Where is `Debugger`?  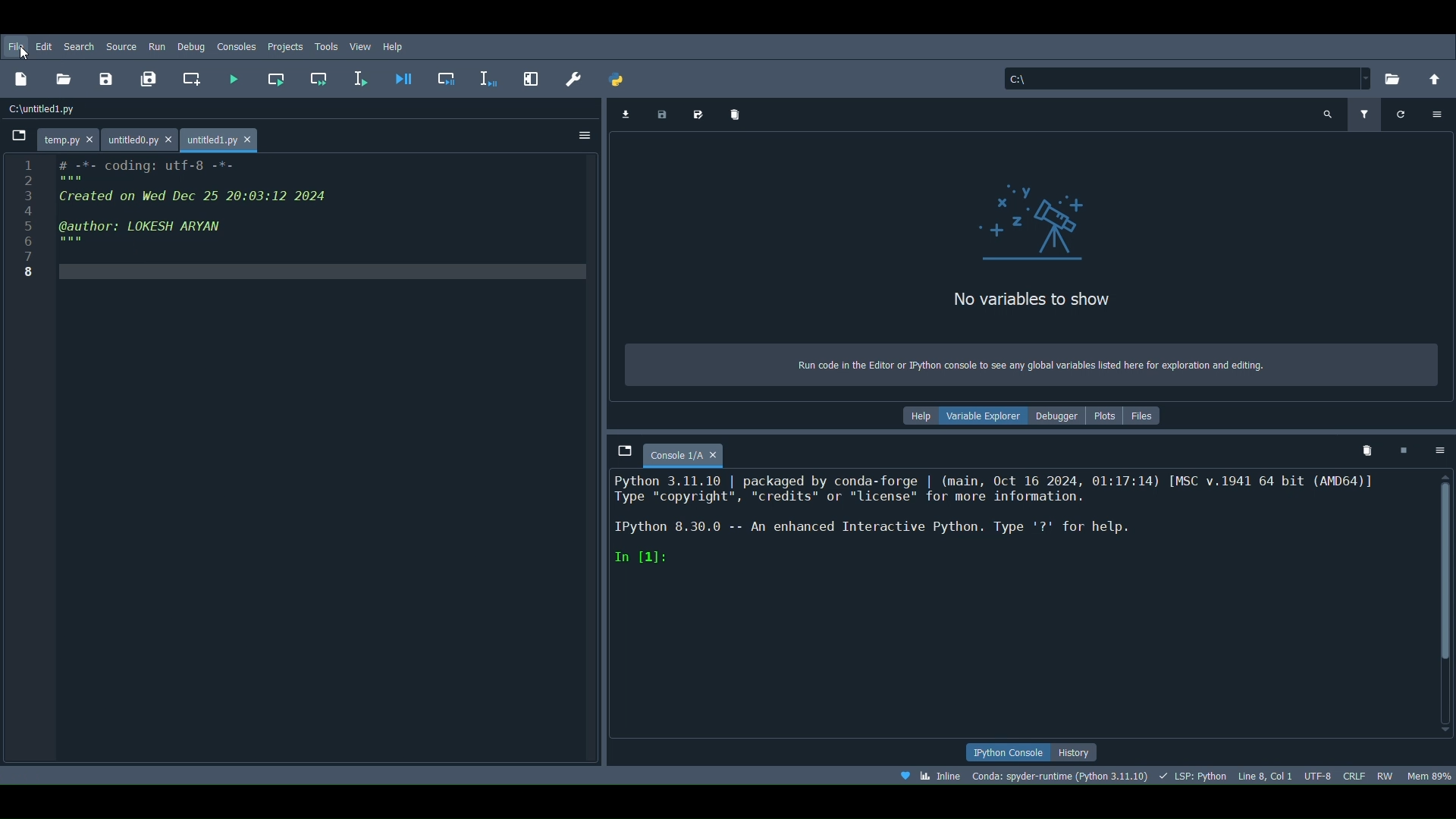 Debugger is located at coordinates (1056, 416).